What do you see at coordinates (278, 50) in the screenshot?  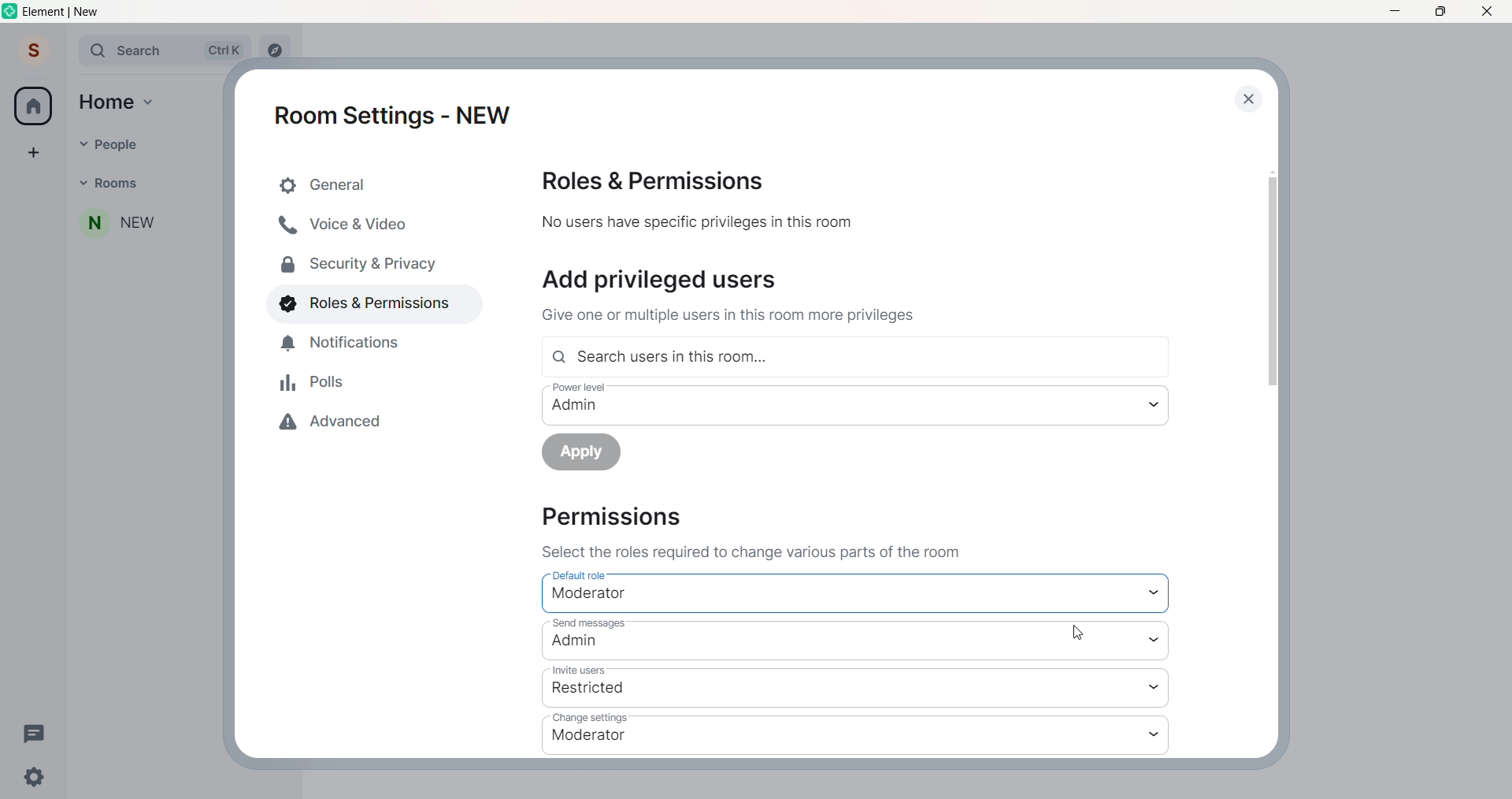 I see `explore` at bounding box center [278, 50].